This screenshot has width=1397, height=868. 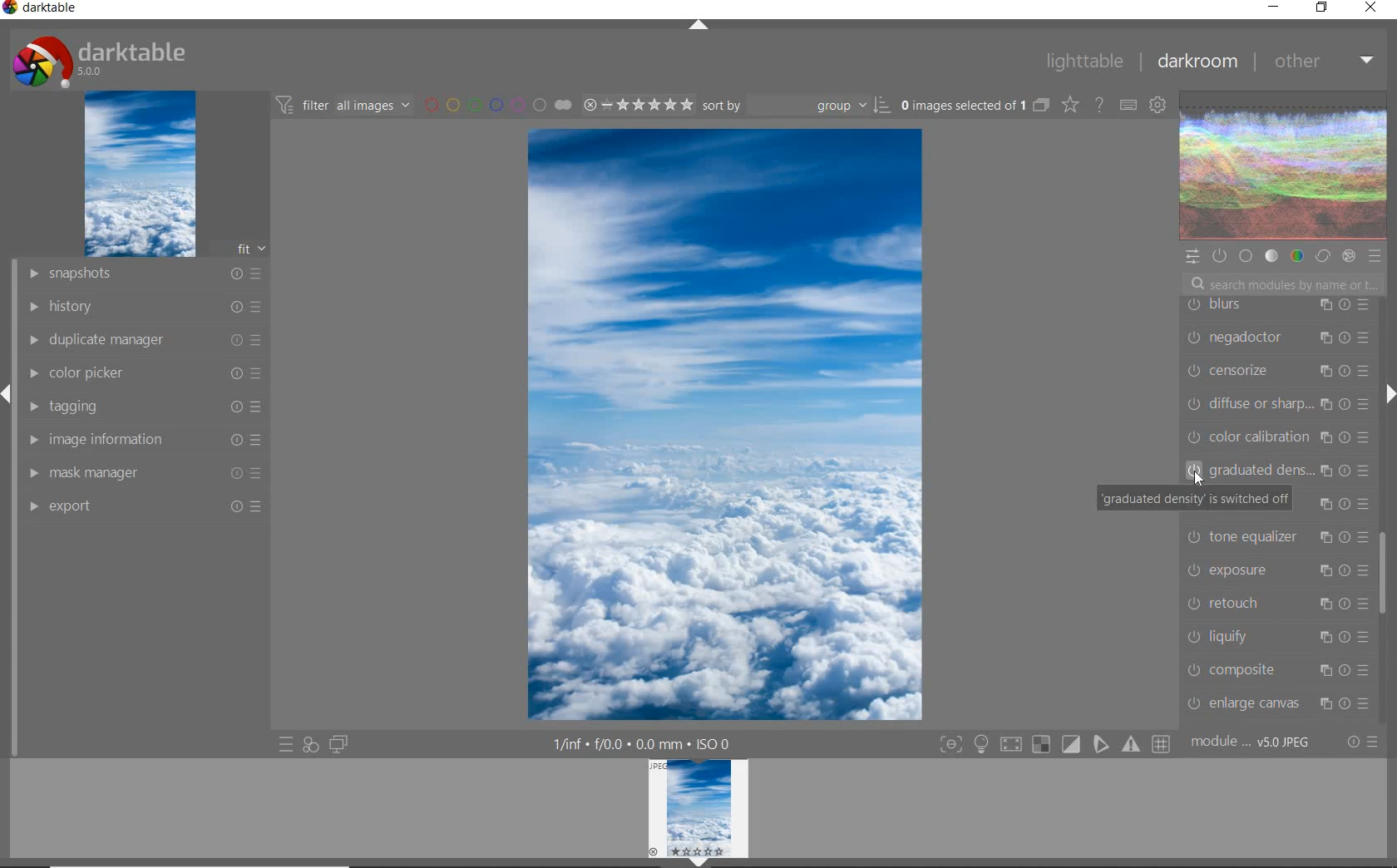 What do you see at coordinates (1195, 499) in the screenshot?
I see `GRADUATED DENSITY IS SWITCHED OFF` at bounding box center [1195, 499].